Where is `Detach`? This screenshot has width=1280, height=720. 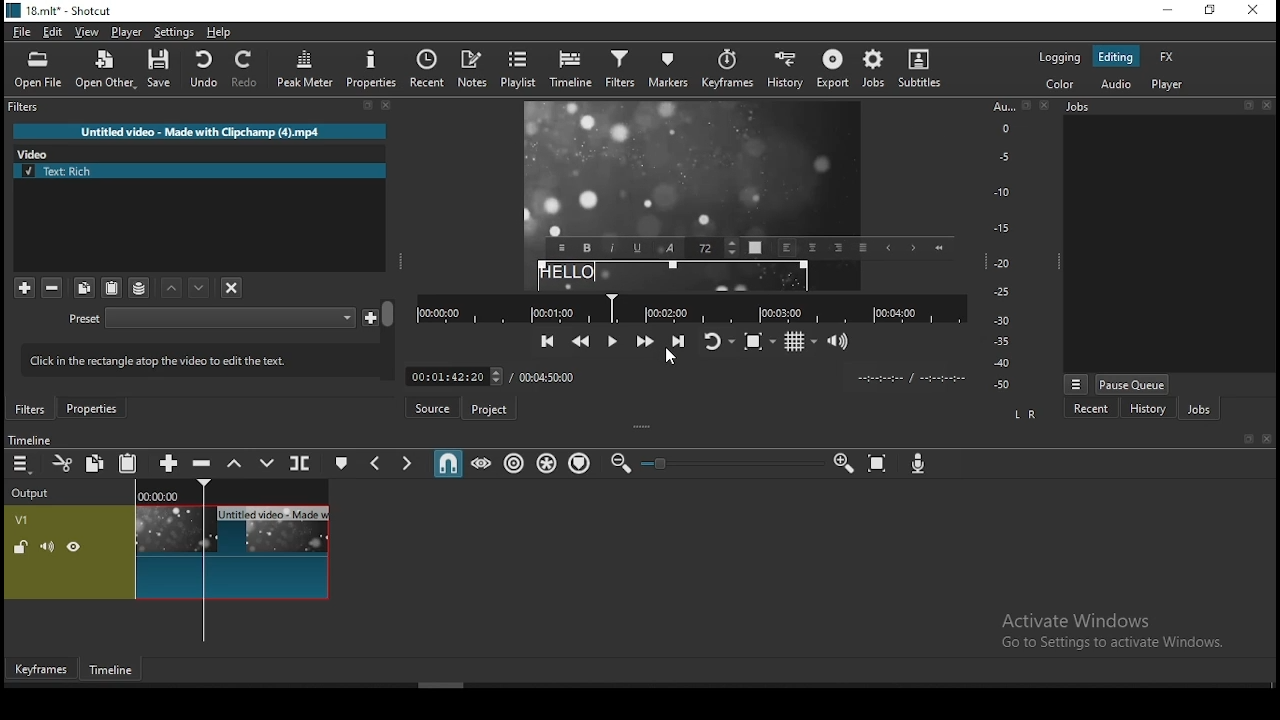
Detach is located at coordinates (1250, 439).